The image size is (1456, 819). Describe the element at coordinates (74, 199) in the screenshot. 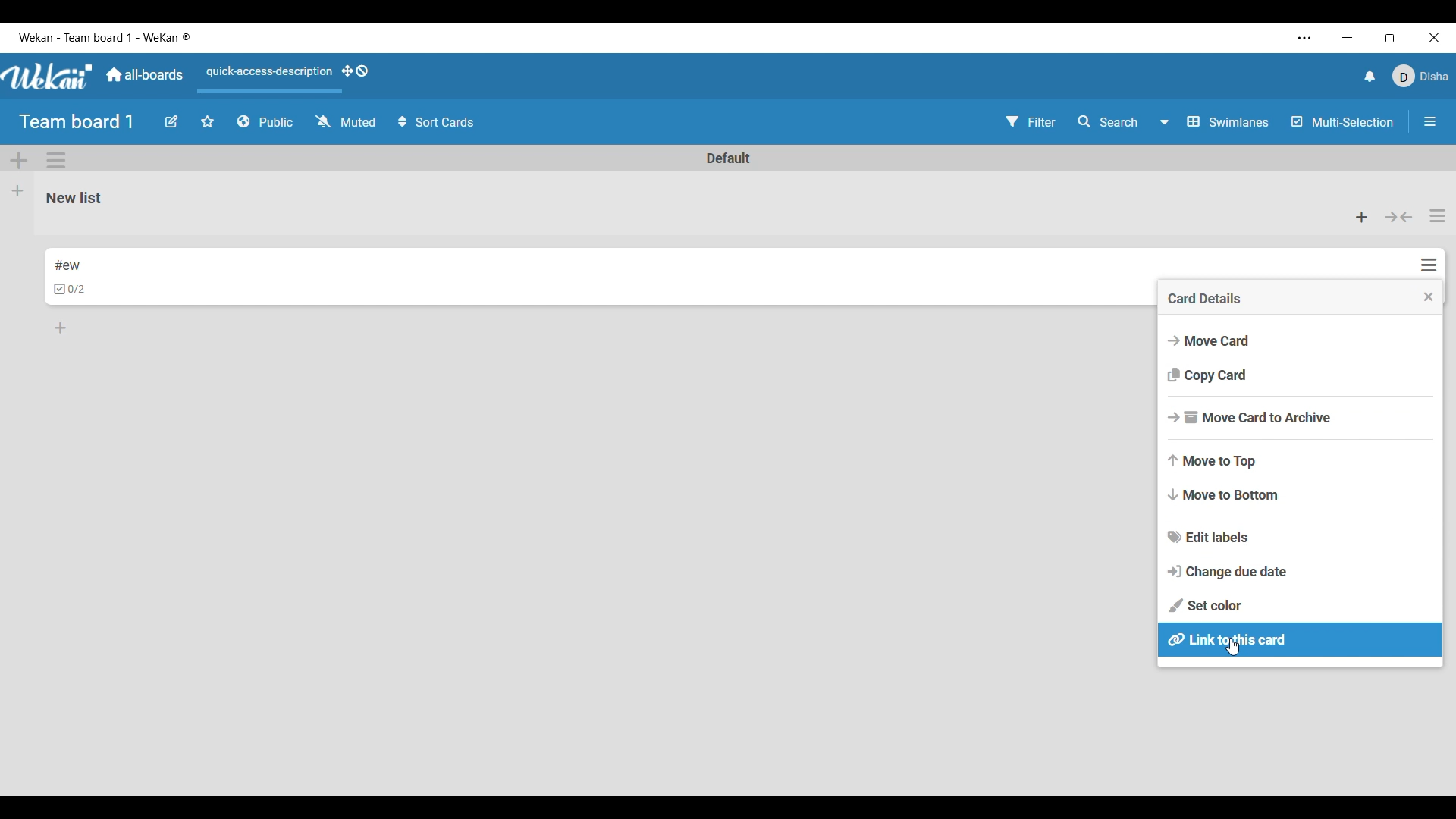

I see `List name` at that location.